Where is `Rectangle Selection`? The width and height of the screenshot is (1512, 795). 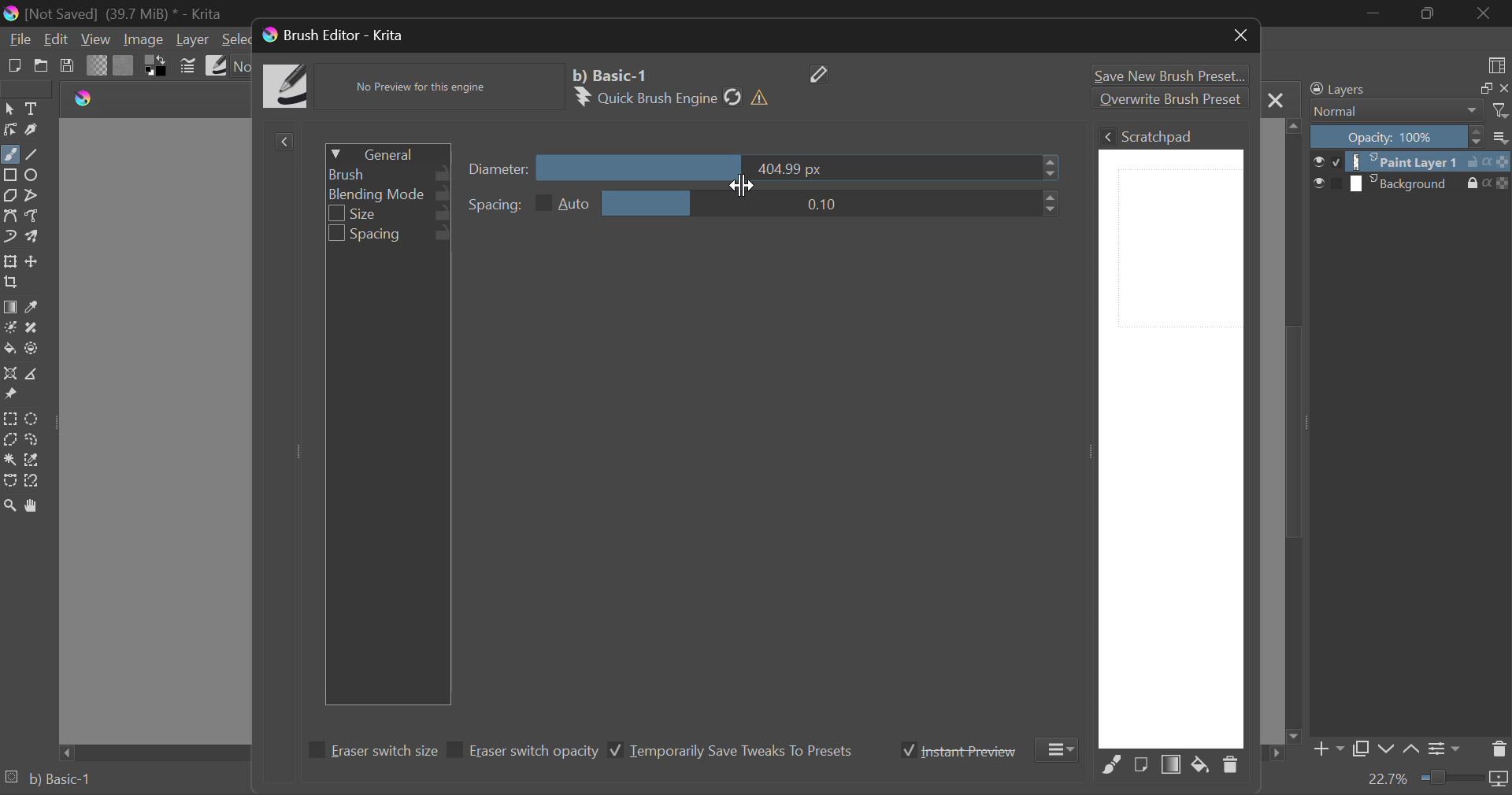 Rectangle Selection is located at coordinates (10, 418).